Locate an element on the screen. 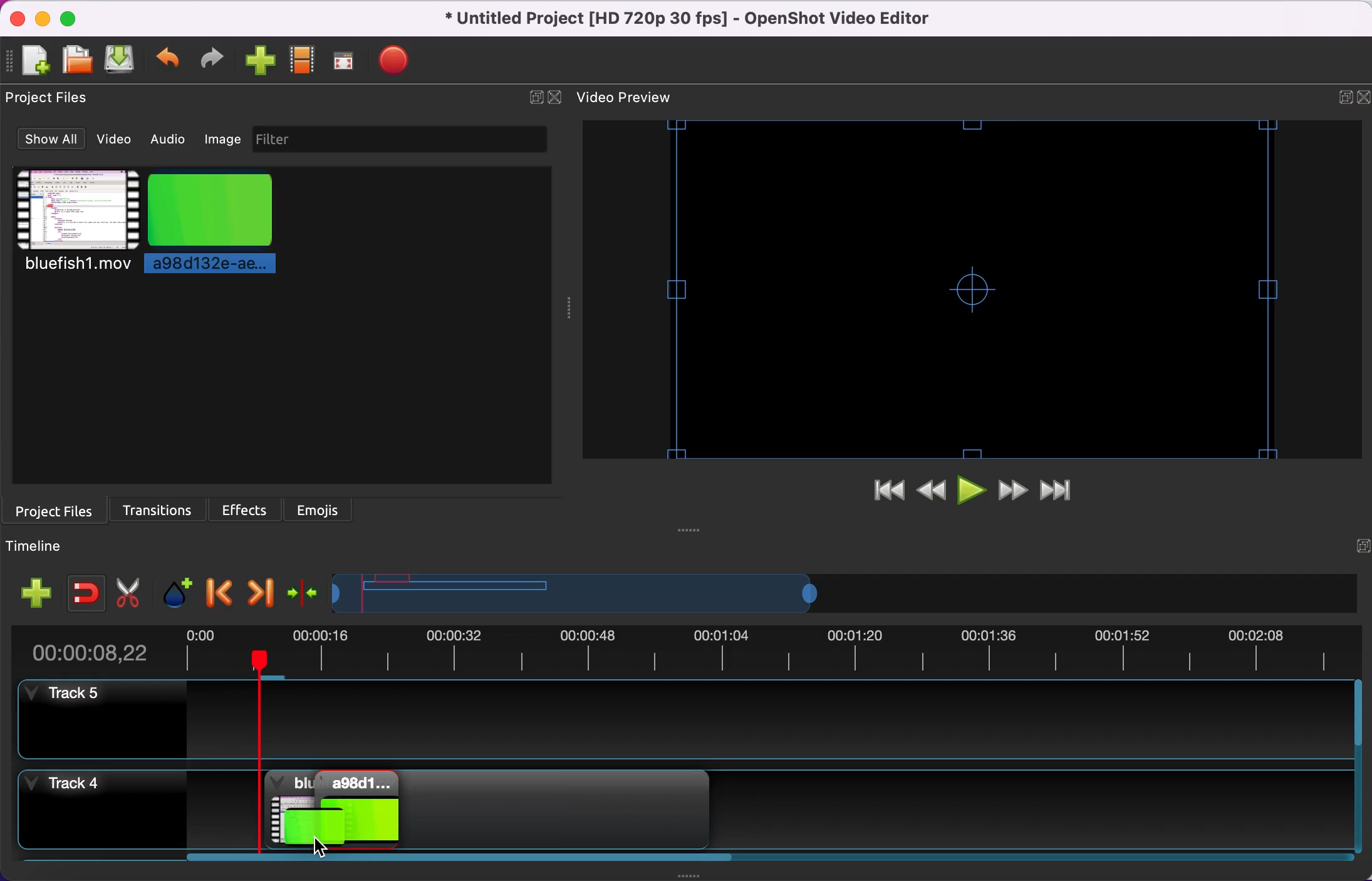 This screenshot has width=1372, height=881. save file is located at coordinates (118, 60).